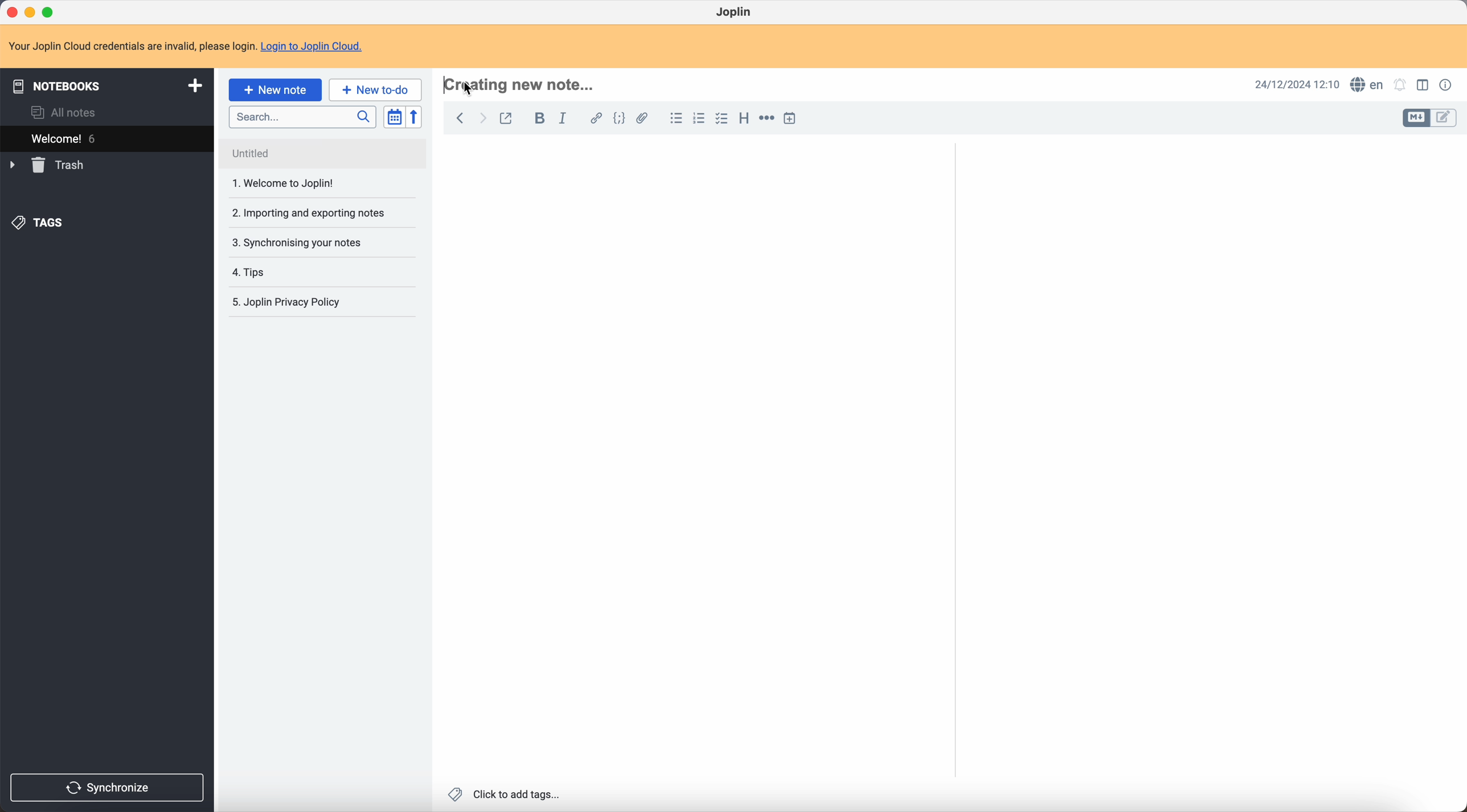 The width and height of the screenshot is (1467, 812). Describe the element at coordinates (395, 117) in the screenshot. I see `toggle sort order field` at that location.